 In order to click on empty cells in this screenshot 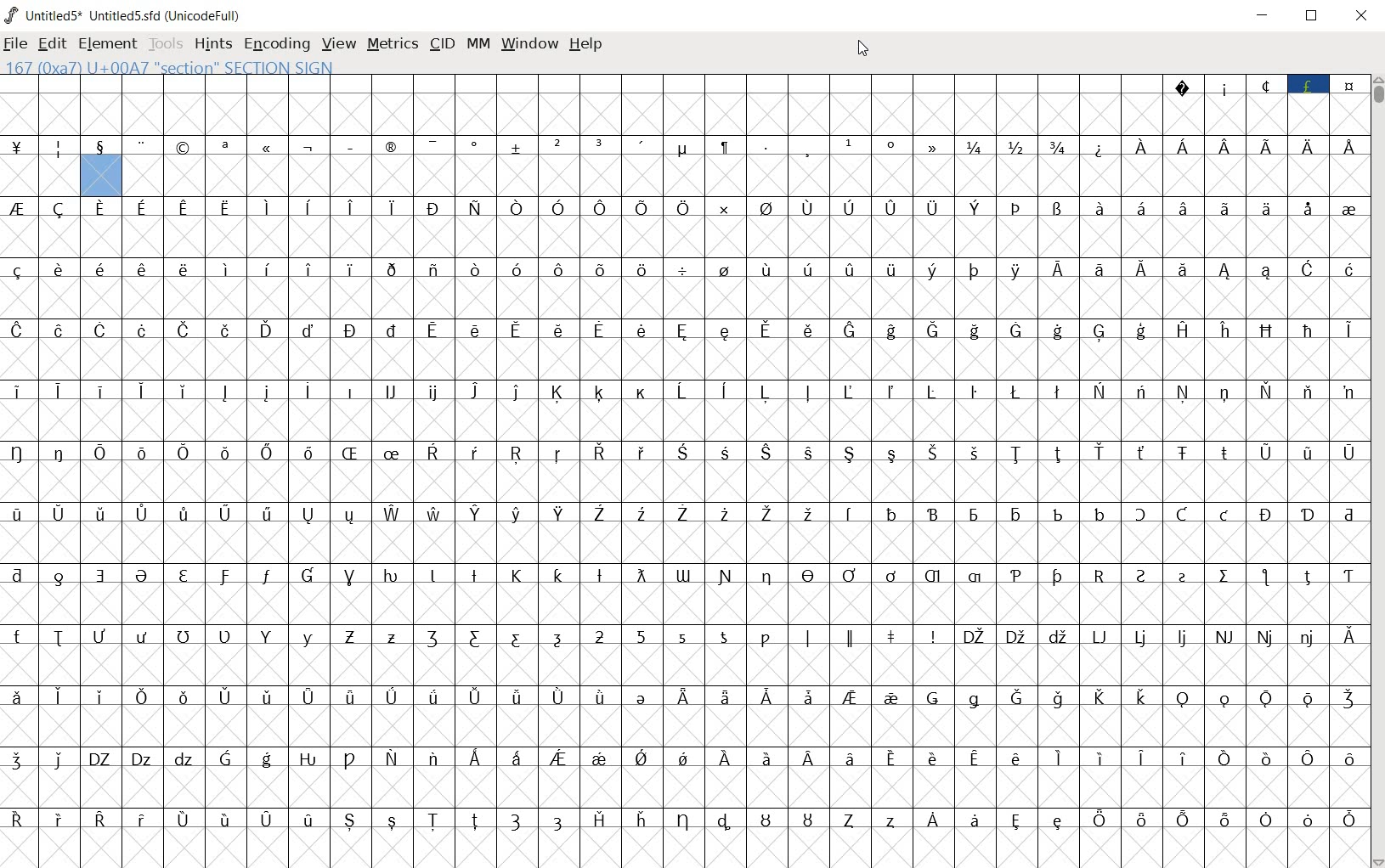, I will do `click(687, 482)`.